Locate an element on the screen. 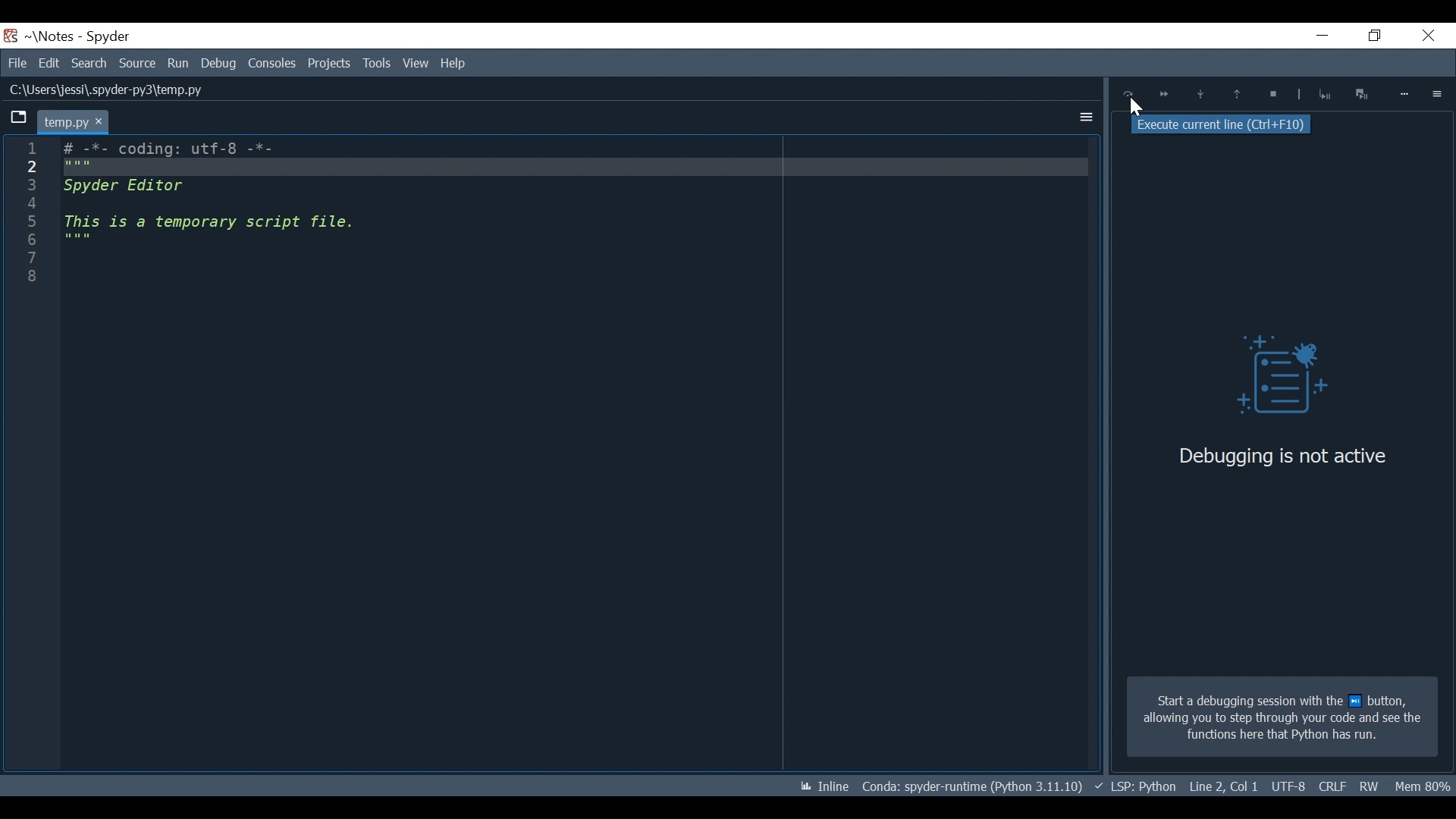  Execute until functions/method returns is located at coordinates (1323, 96).